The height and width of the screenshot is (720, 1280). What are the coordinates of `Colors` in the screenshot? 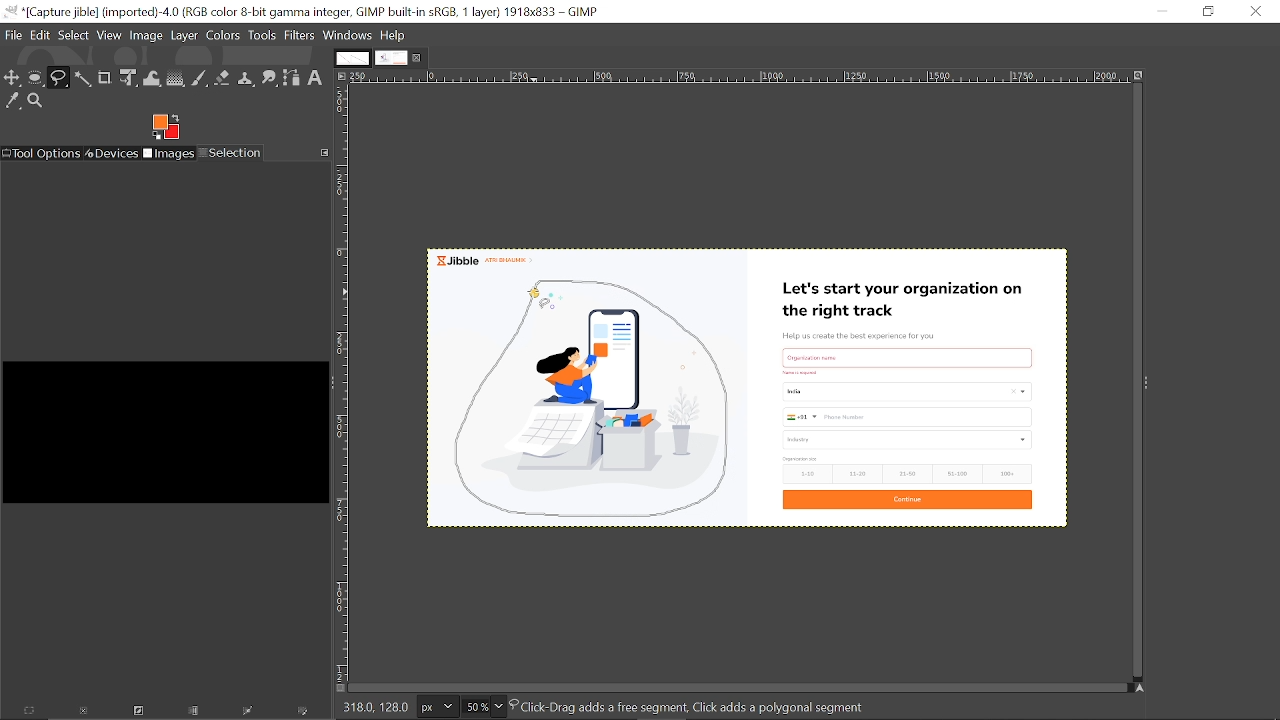 It's located at (224, 35).